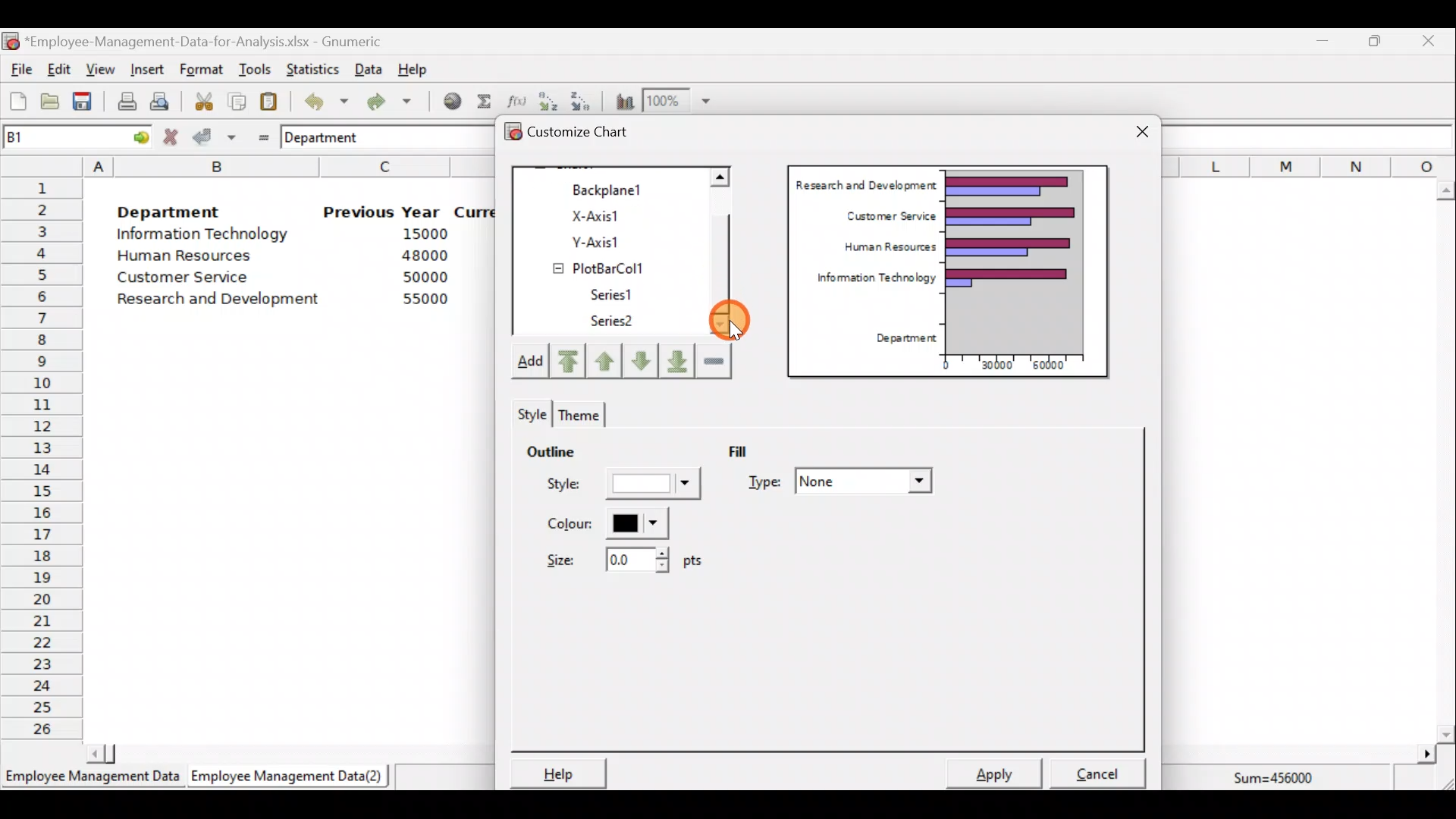 The image size is (1456, 819). What do you see at coordinates (529, 364) in the screenshot?
I see `Add` at bounding box center [529, 364].